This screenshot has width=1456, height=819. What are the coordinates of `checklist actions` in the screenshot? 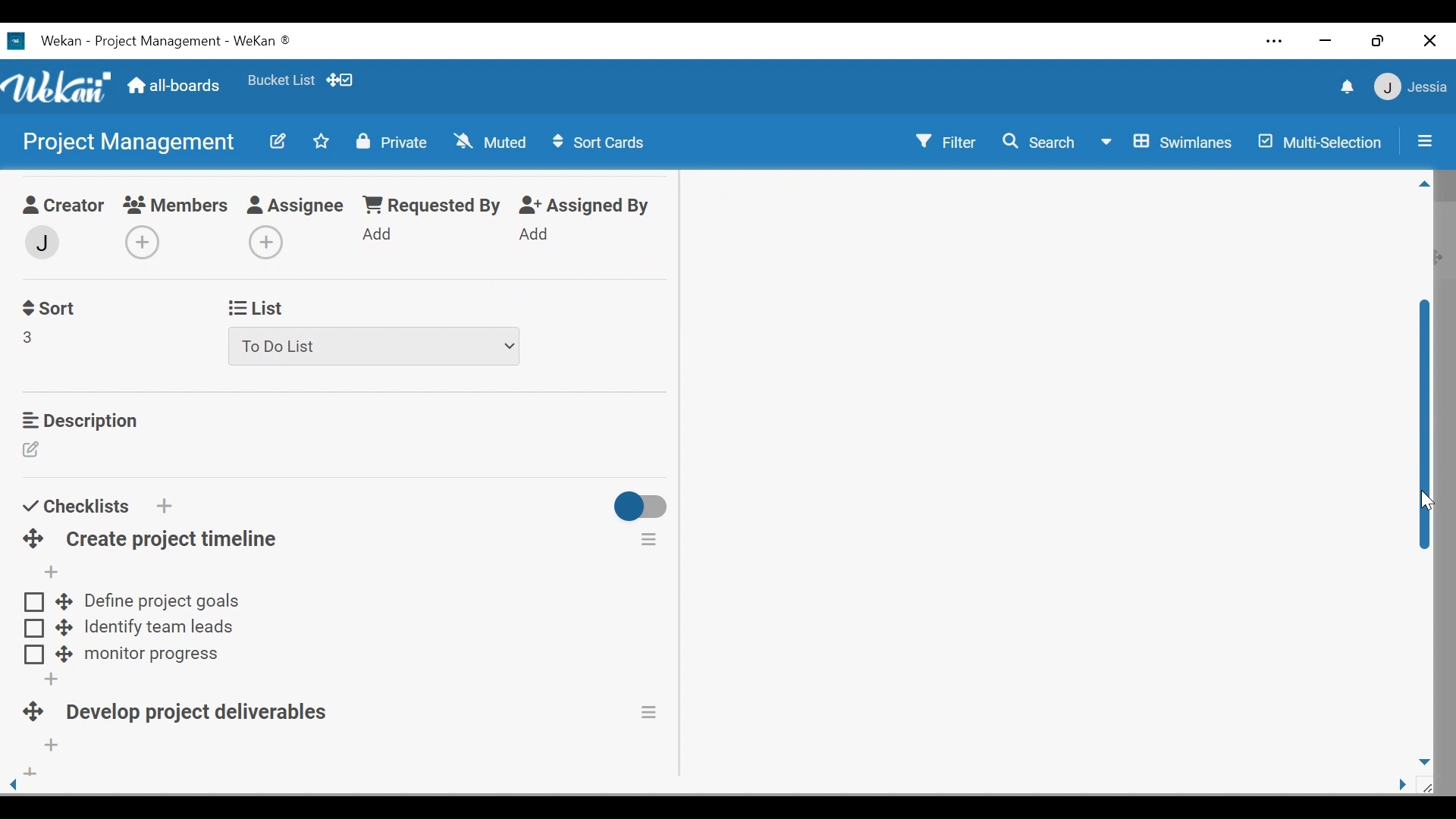 It's located at (649, 538).